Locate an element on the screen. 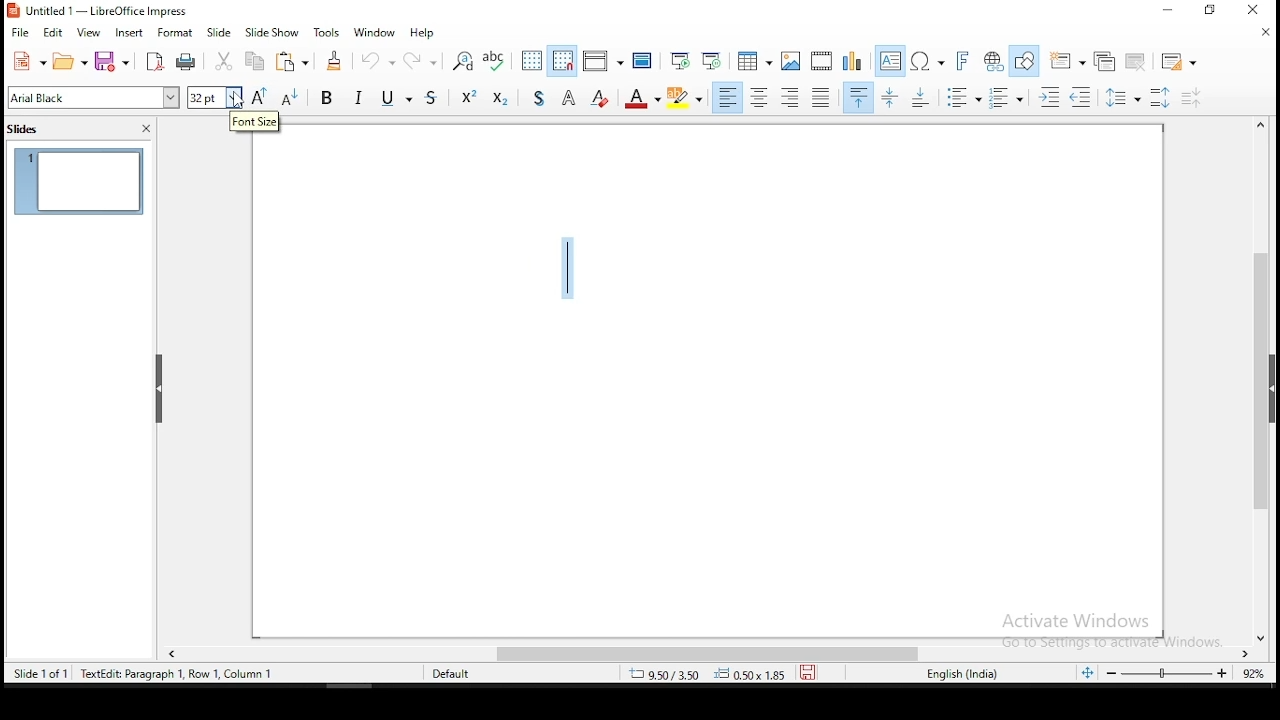  new is located at coordinates (28, 61).